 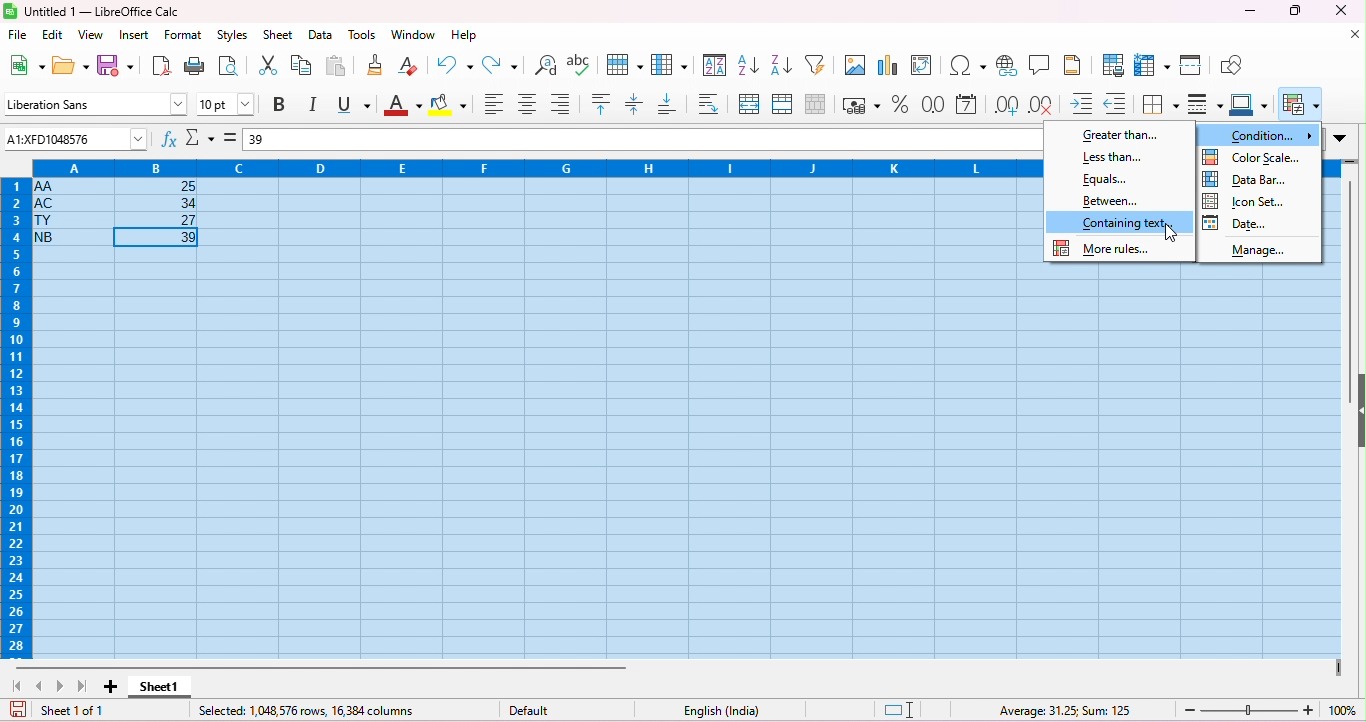 I want to click on condition, so click(x=1262, y=136).